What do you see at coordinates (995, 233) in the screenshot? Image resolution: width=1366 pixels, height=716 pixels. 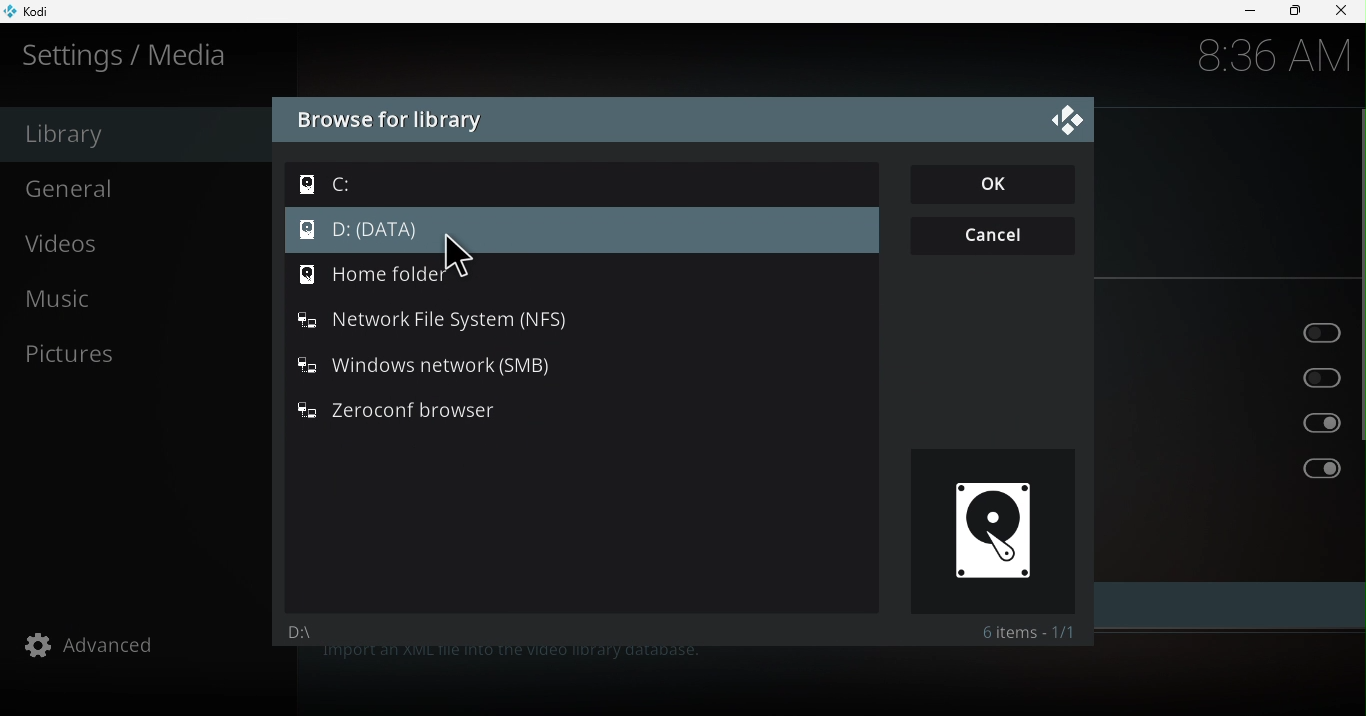 I see `Cancel` at bounding box center [995, 233].